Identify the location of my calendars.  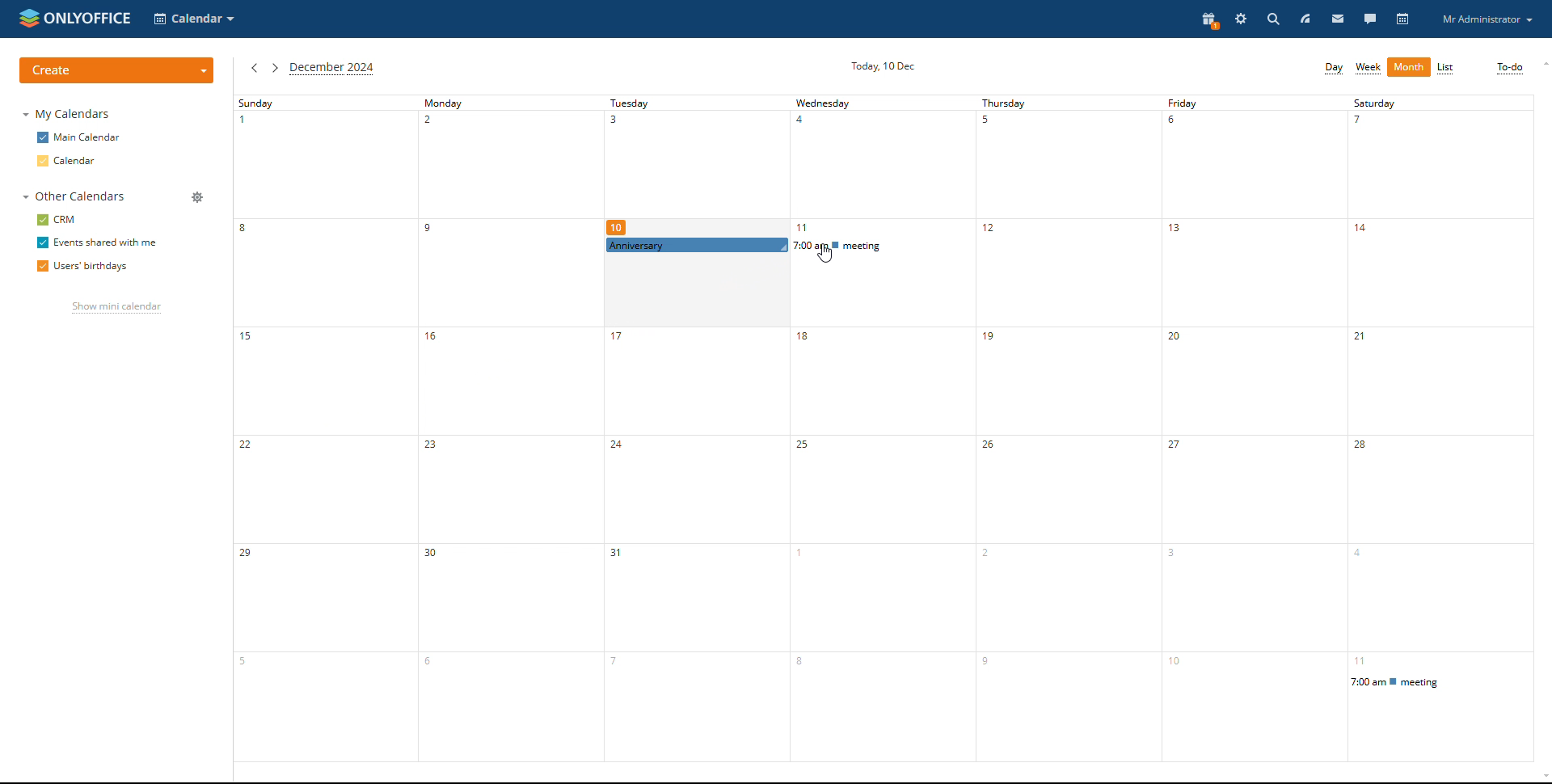
(67, 115).